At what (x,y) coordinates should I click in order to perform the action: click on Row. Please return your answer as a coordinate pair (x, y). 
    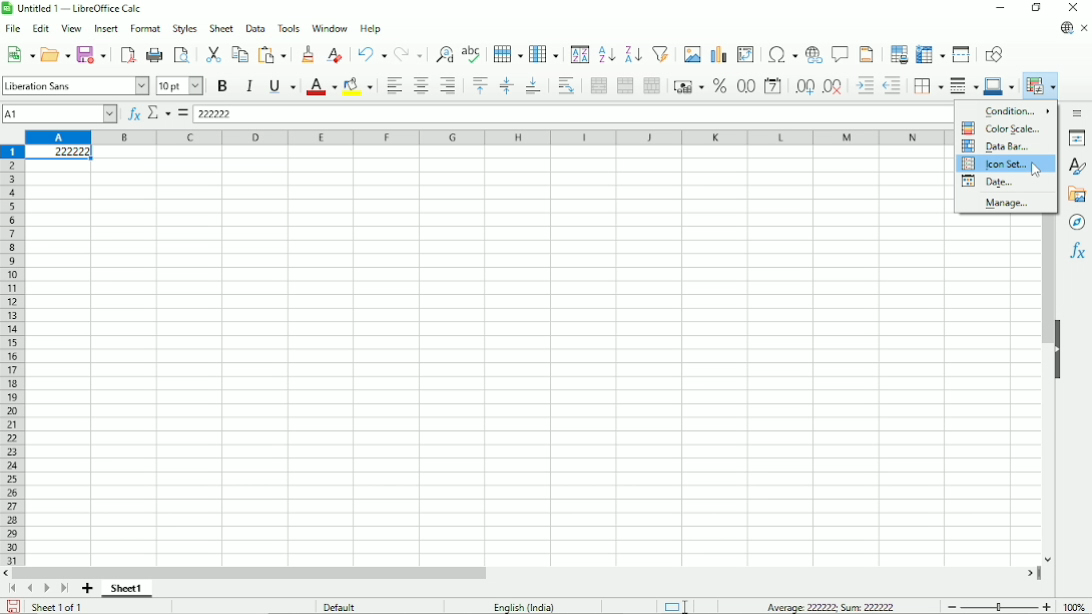
    Looking at the image, I should click on (507, 52).